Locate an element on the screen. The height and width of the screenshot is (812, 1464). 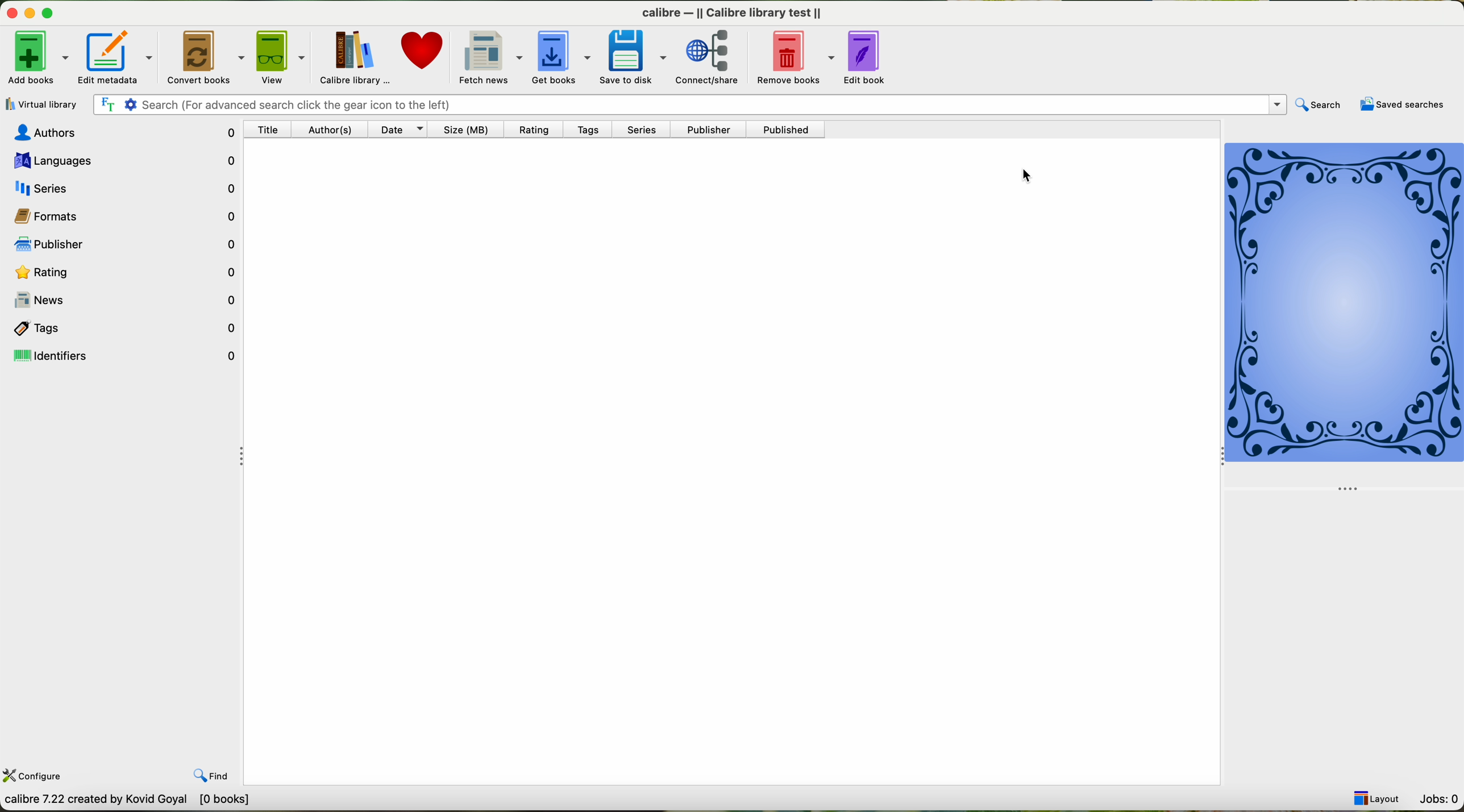
remove books is located at coordinates (789, 56).